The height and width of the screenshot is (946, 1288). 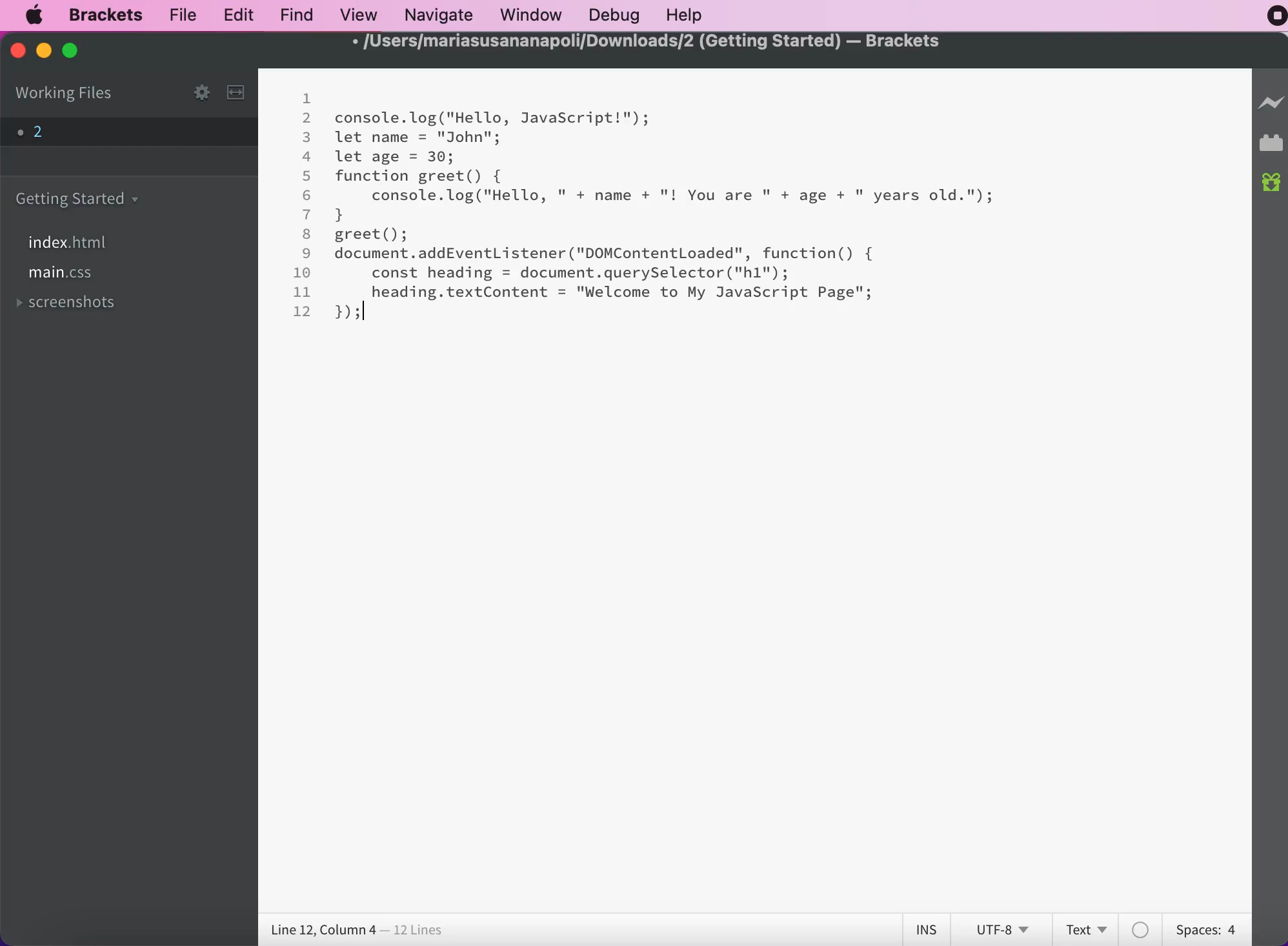 I want to click on 3, so click(x=307, y=138).